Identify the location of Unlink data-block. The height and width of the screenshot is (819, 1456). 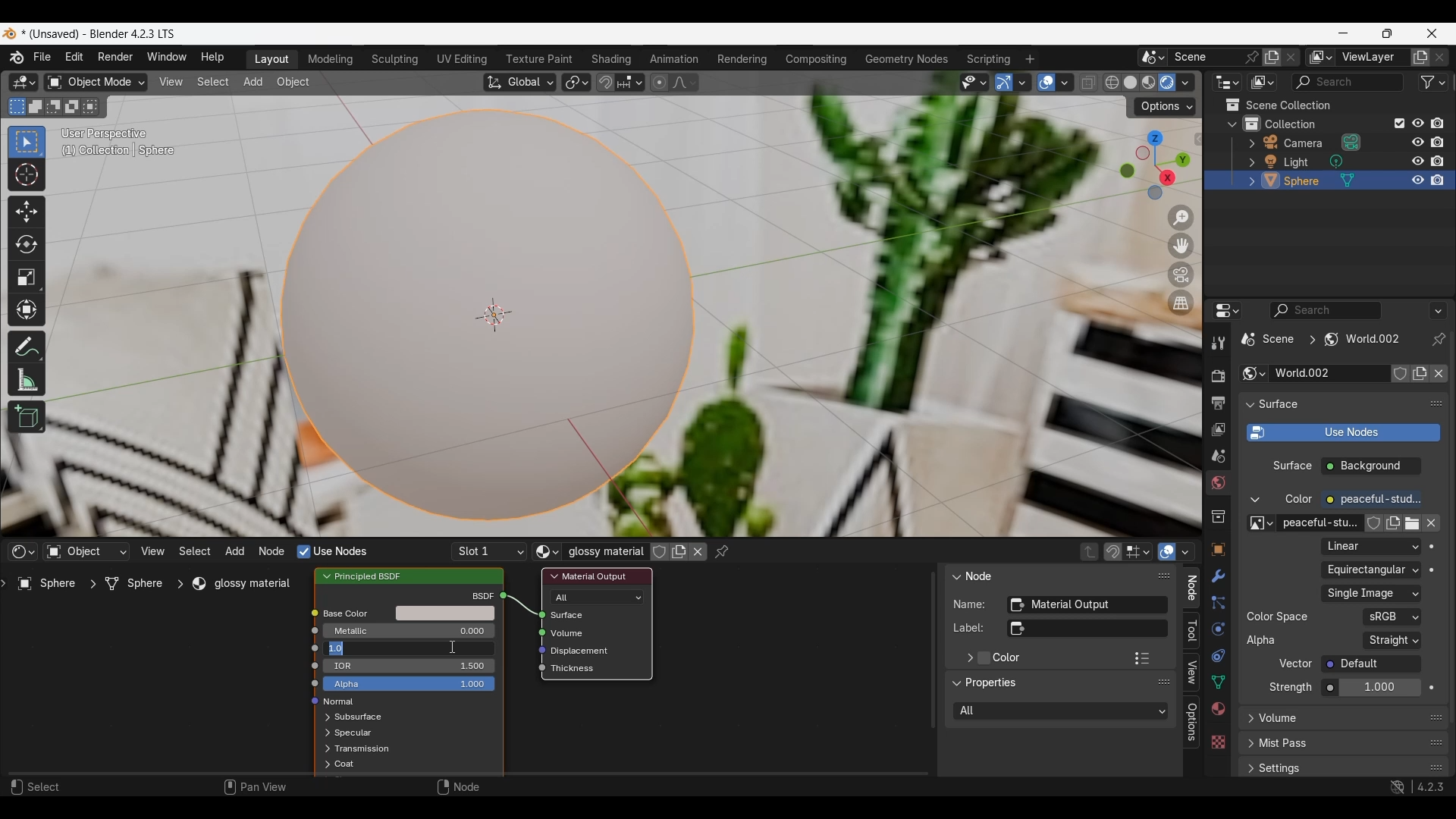
(1439, 374).